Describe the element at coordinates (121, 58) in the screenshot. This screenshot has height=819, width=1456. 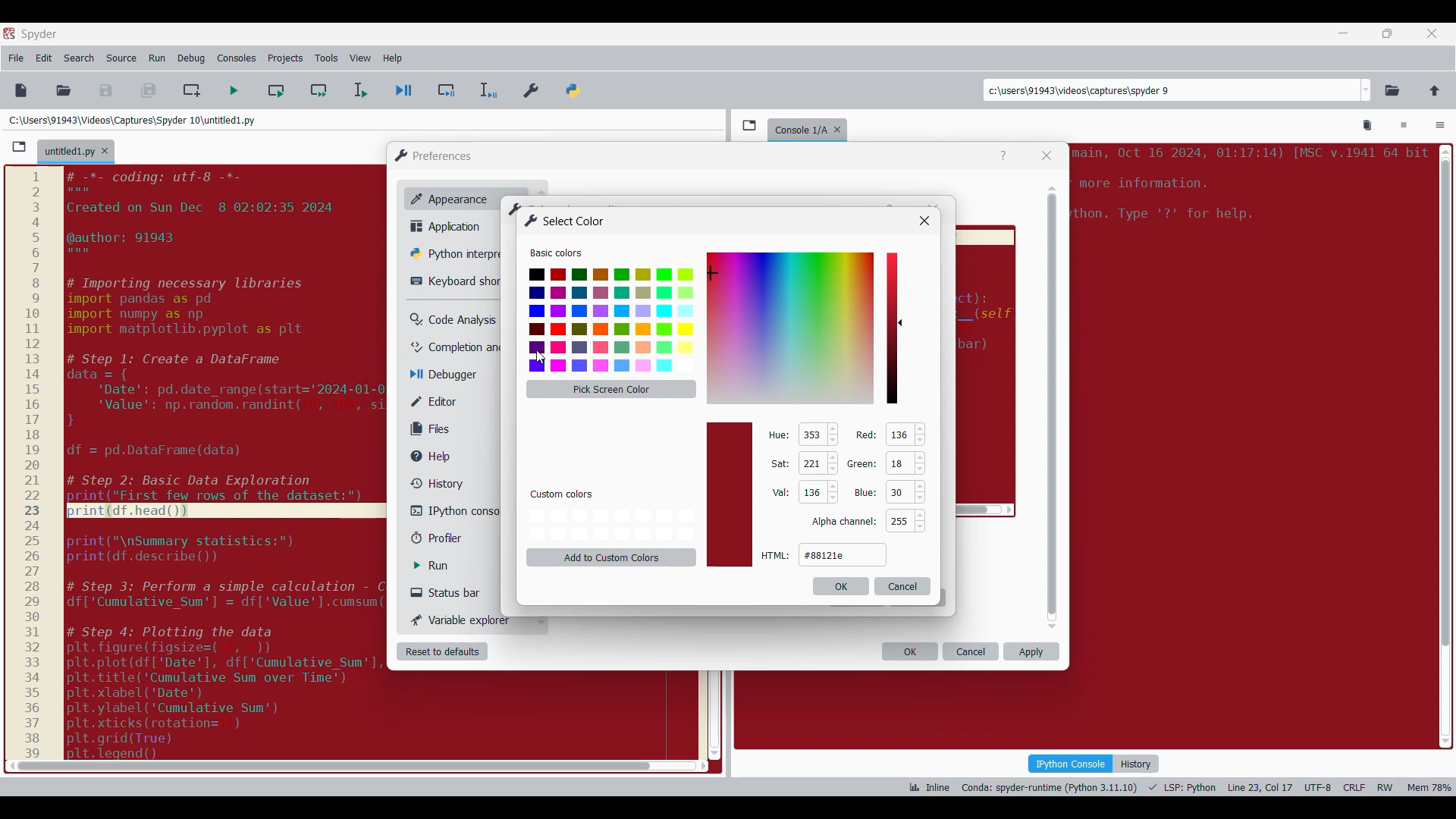
I see `Source menu` at that location.